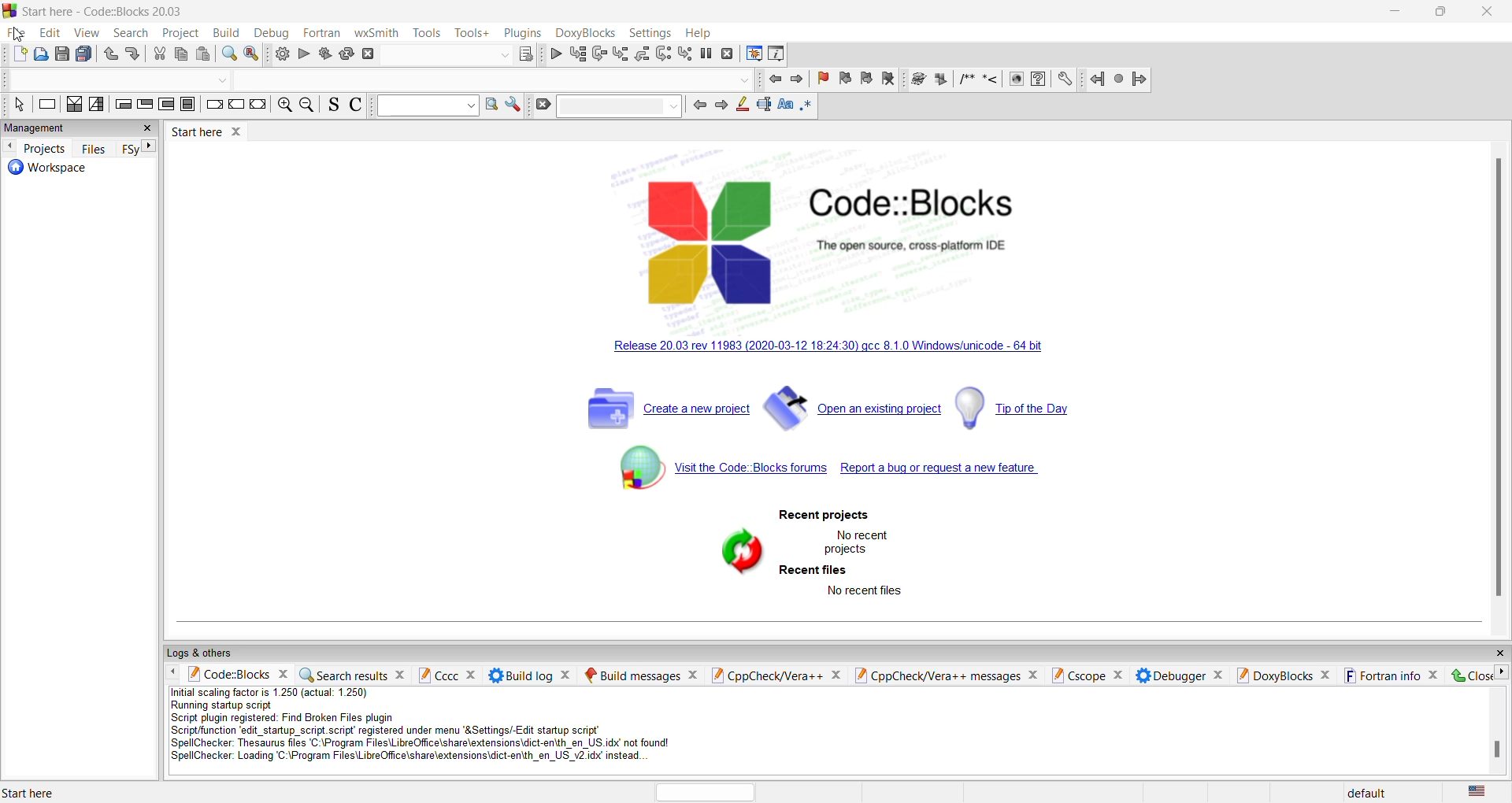 This screenshot has width=1512, height=803. I want to click on code block logo, so click(708, 239).